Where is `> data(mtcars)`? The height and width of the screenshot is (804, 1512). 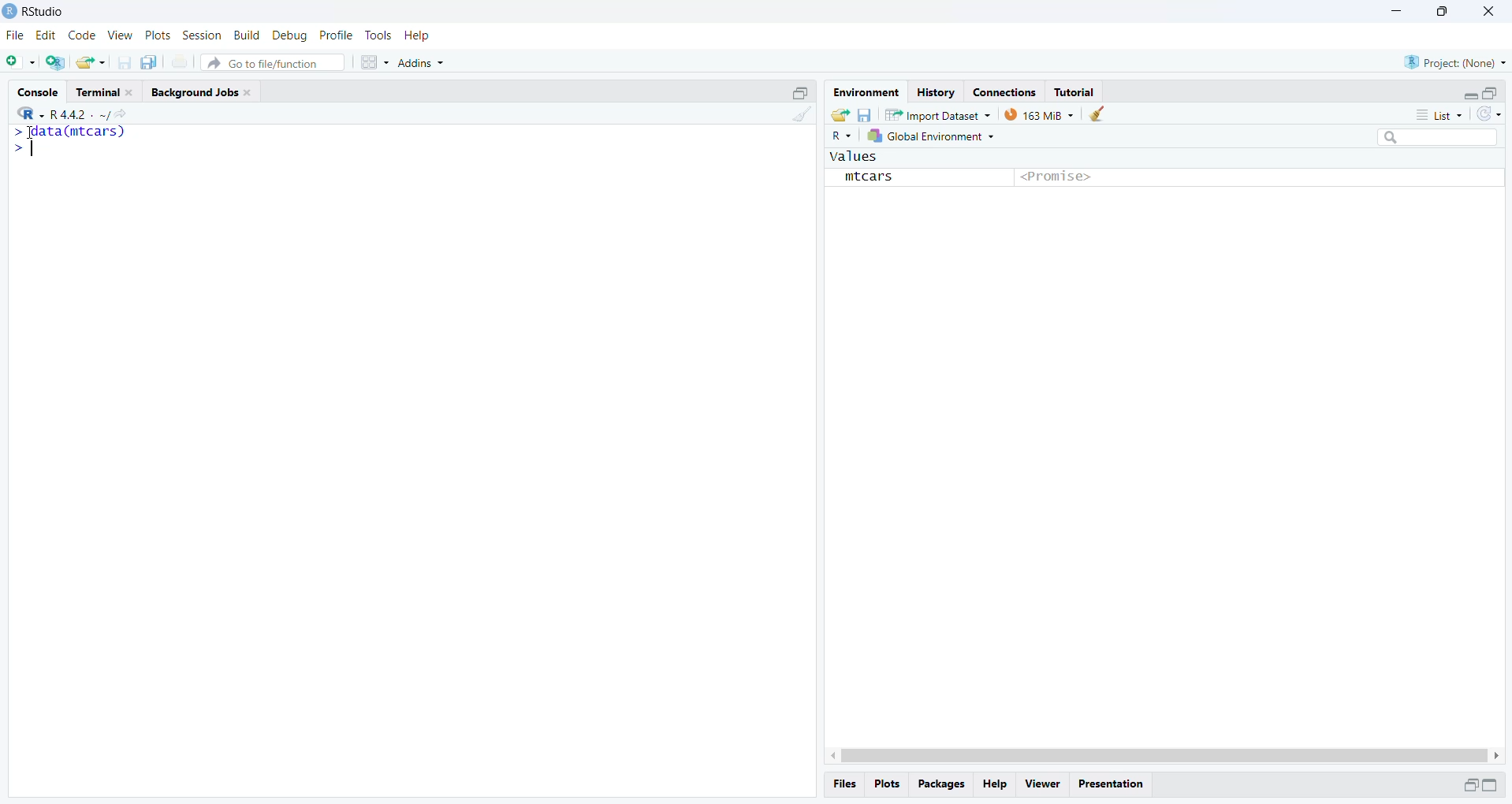 > data(mtcars) is located at coordinates (69, 132).